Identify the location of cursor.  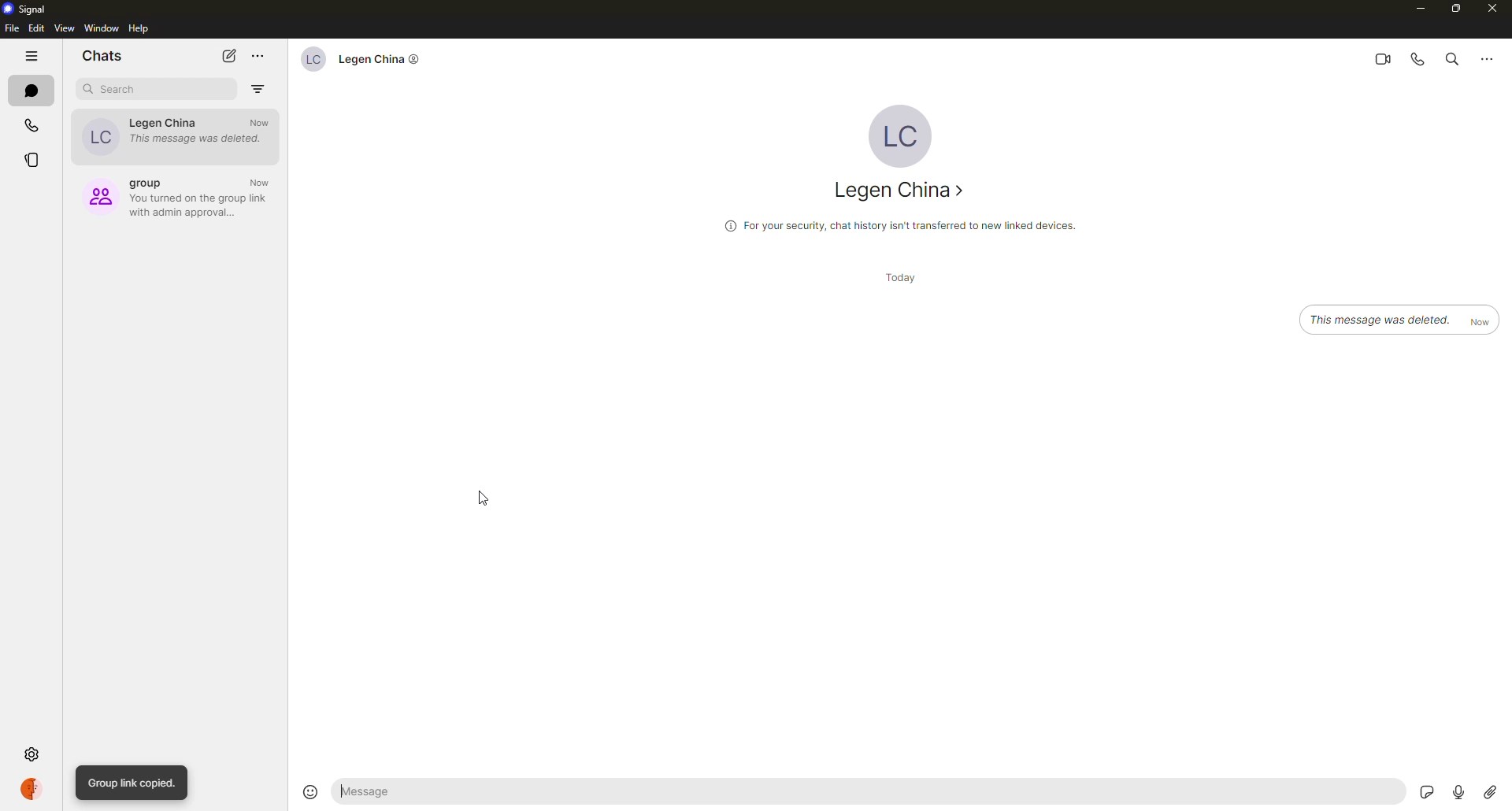
(487, 501).